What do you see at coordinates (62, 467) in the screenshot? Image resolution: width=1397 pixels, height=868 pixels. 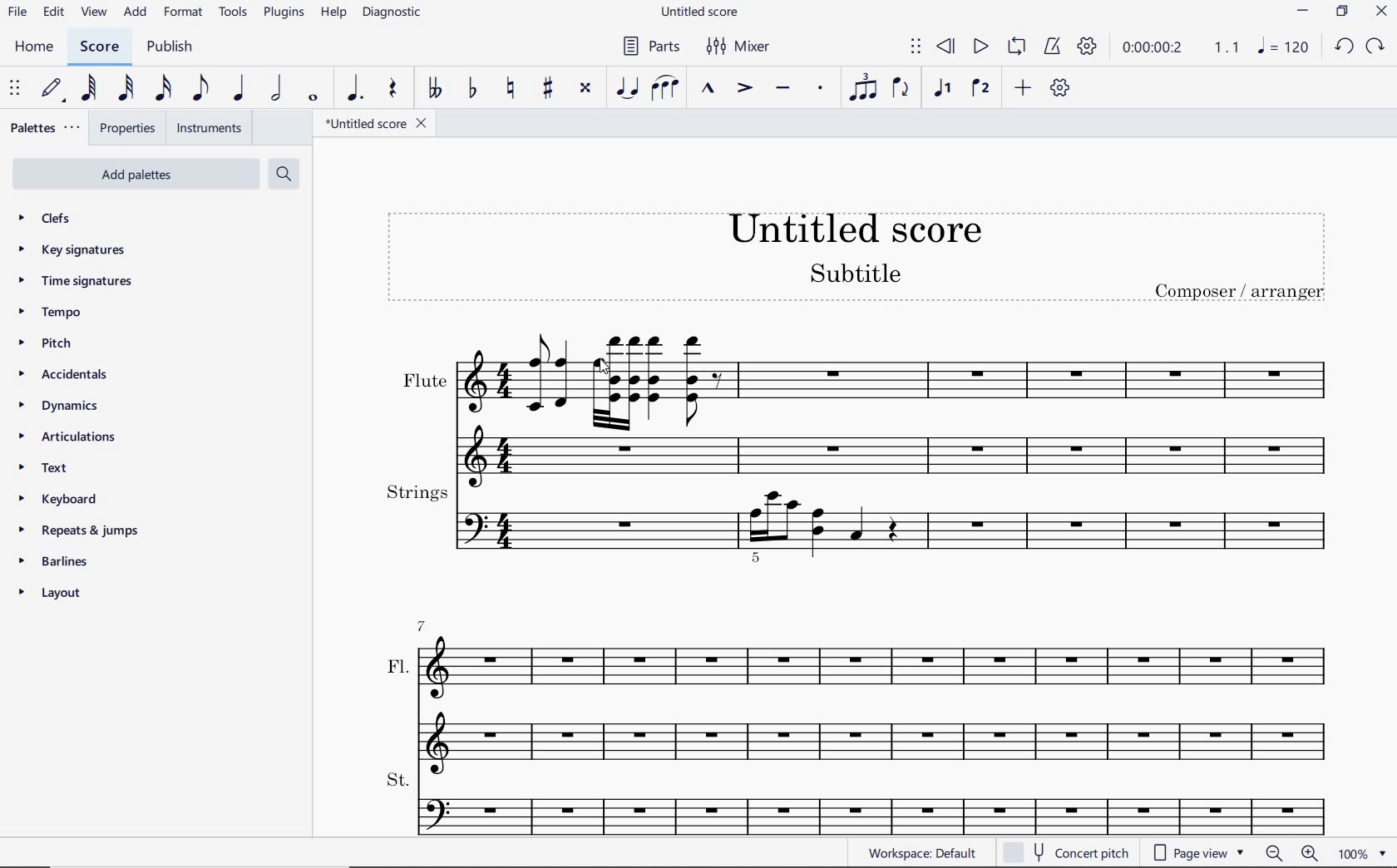 I see `text` at bounding box center [62, 467].